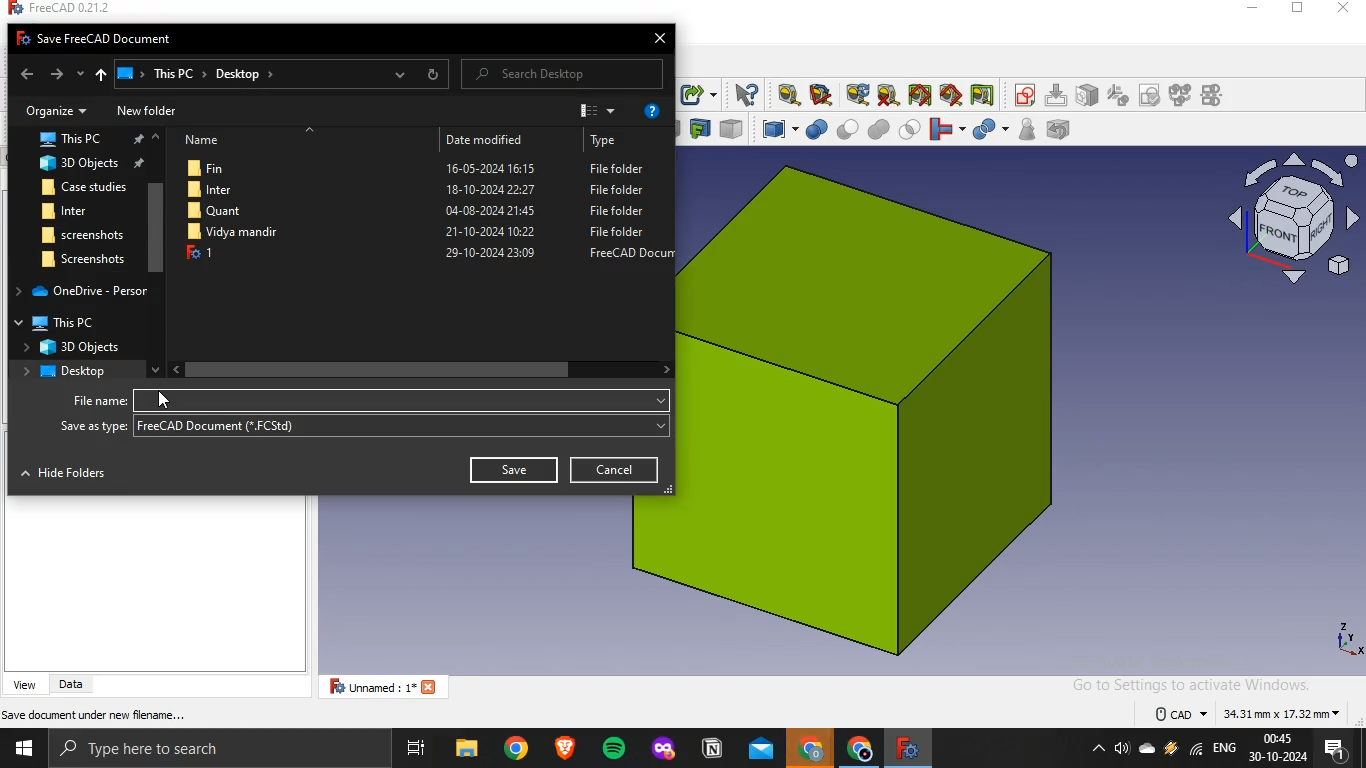 The image size is (1366, 768). I want to click on compound tools, so click(777, 128).